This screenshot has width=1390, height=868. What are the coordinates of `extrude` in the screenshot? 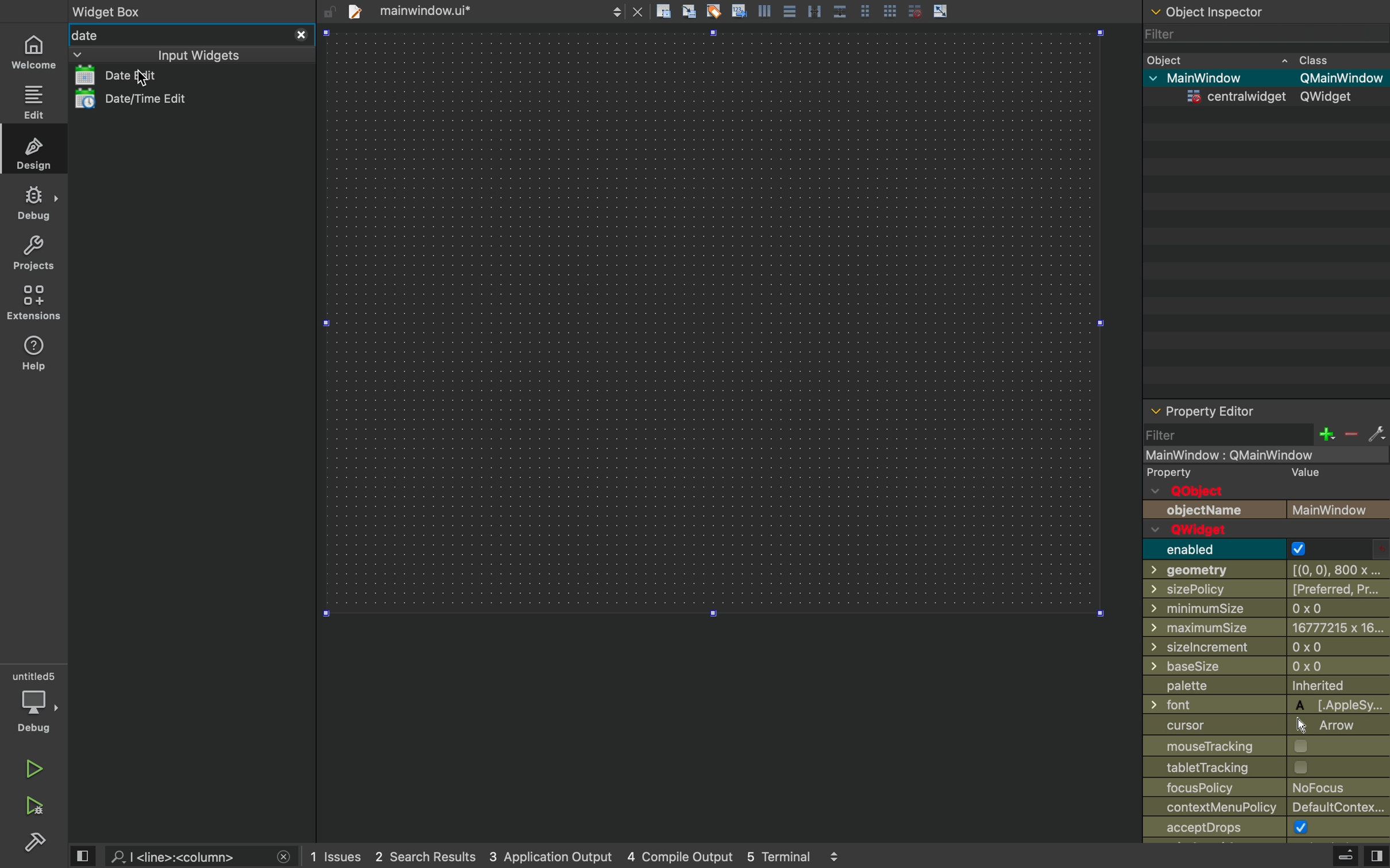 It's located at (1347, 856).